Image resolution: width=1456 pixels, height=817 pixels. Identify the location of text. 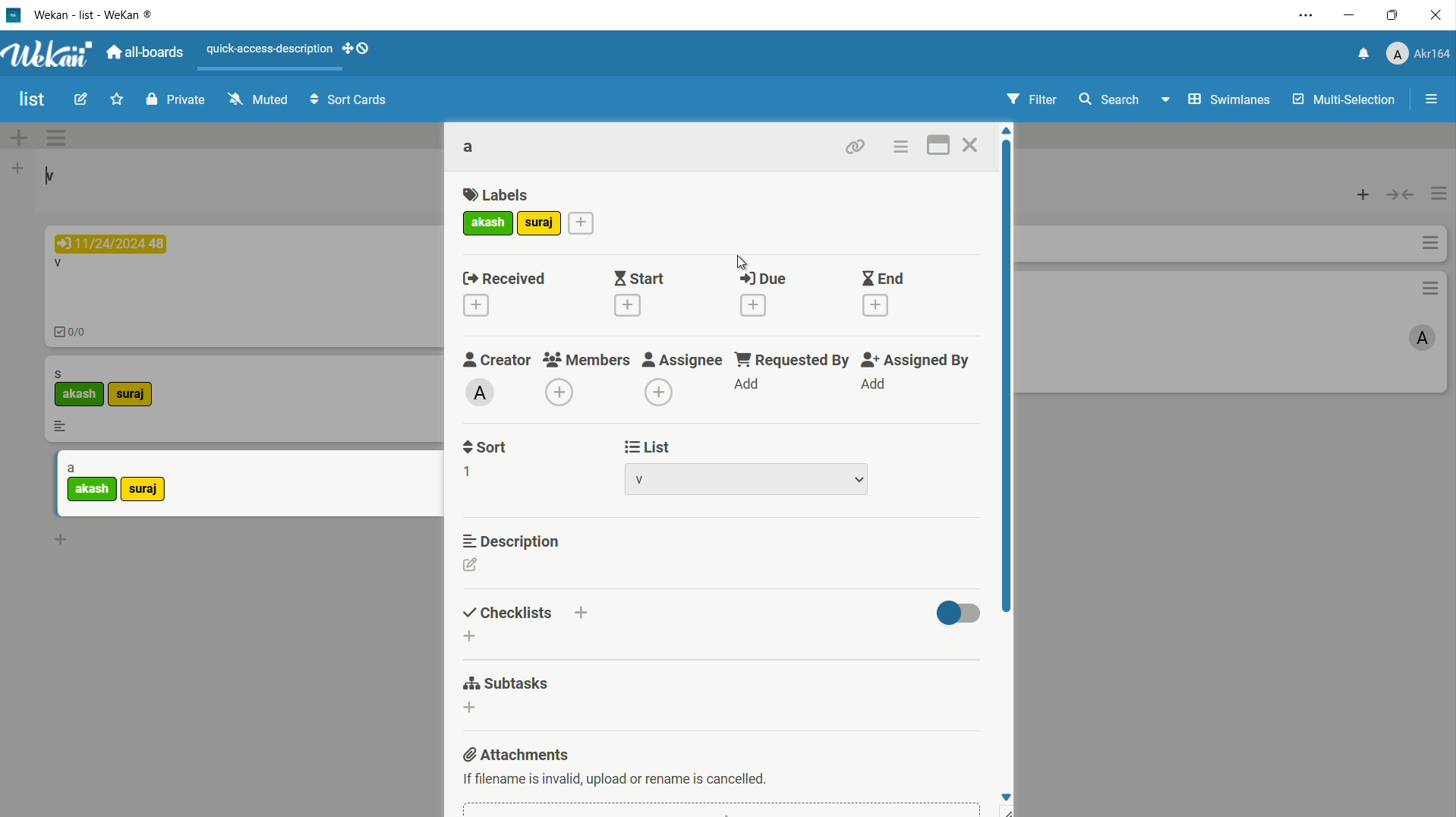
(617, 776).